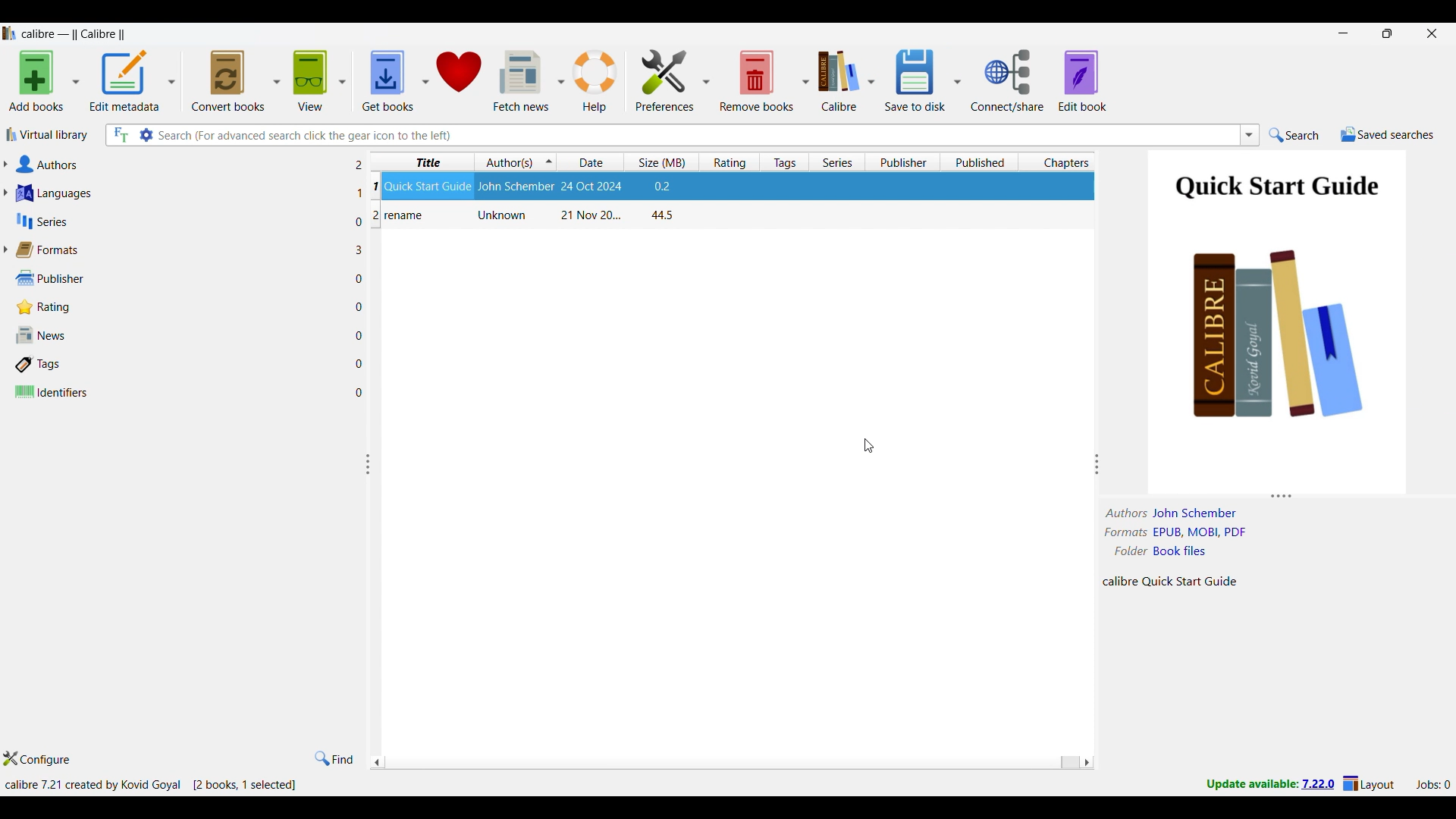 The image size is (1456, 819). What do you see at coordinates (1166, 549) in the screenshot?
I see `Folder` at bounding box center [1166, 549].